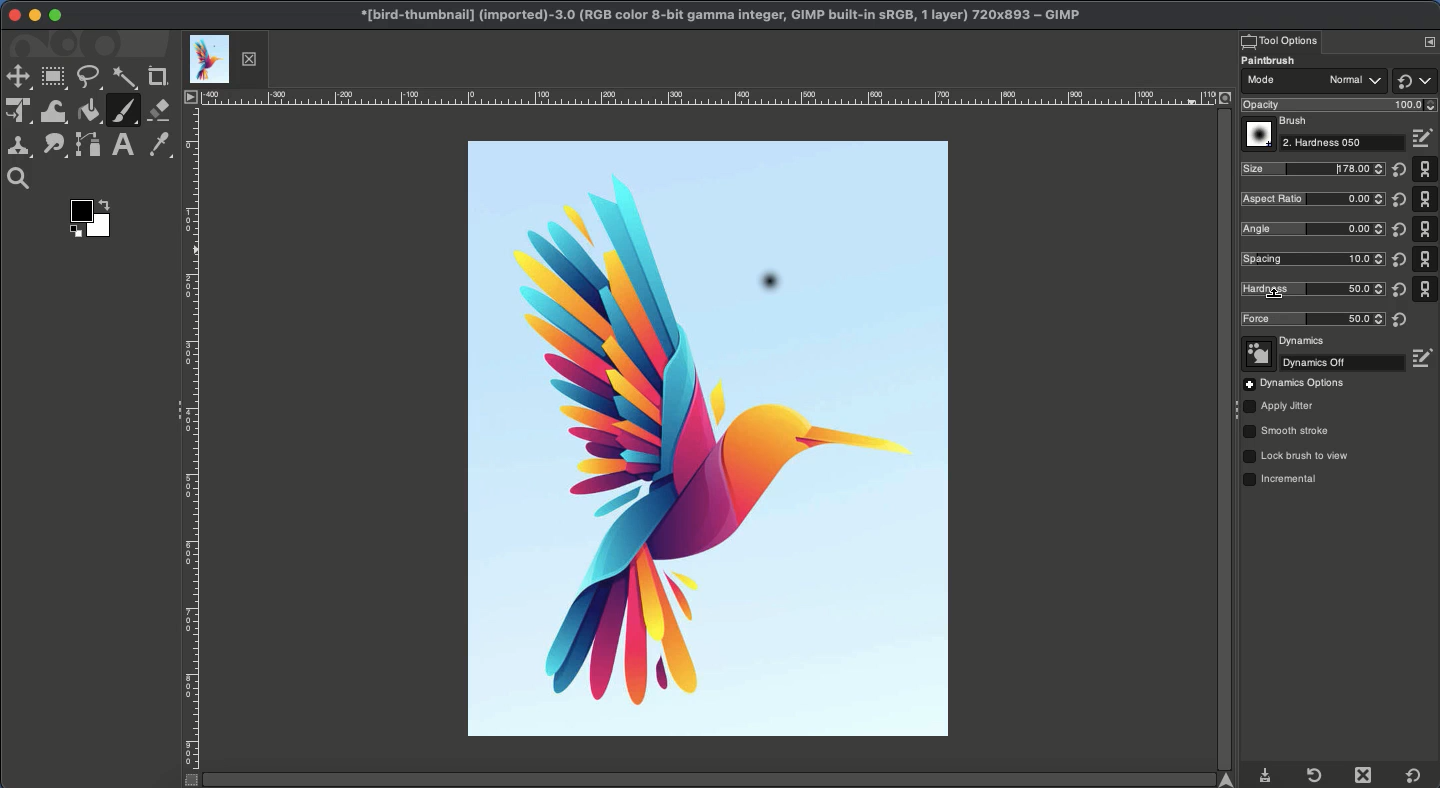 The image size is (1440, 788). Describe the element at coordinates (19, 110) in the screenshot. I see `Unified transformation` at that location.